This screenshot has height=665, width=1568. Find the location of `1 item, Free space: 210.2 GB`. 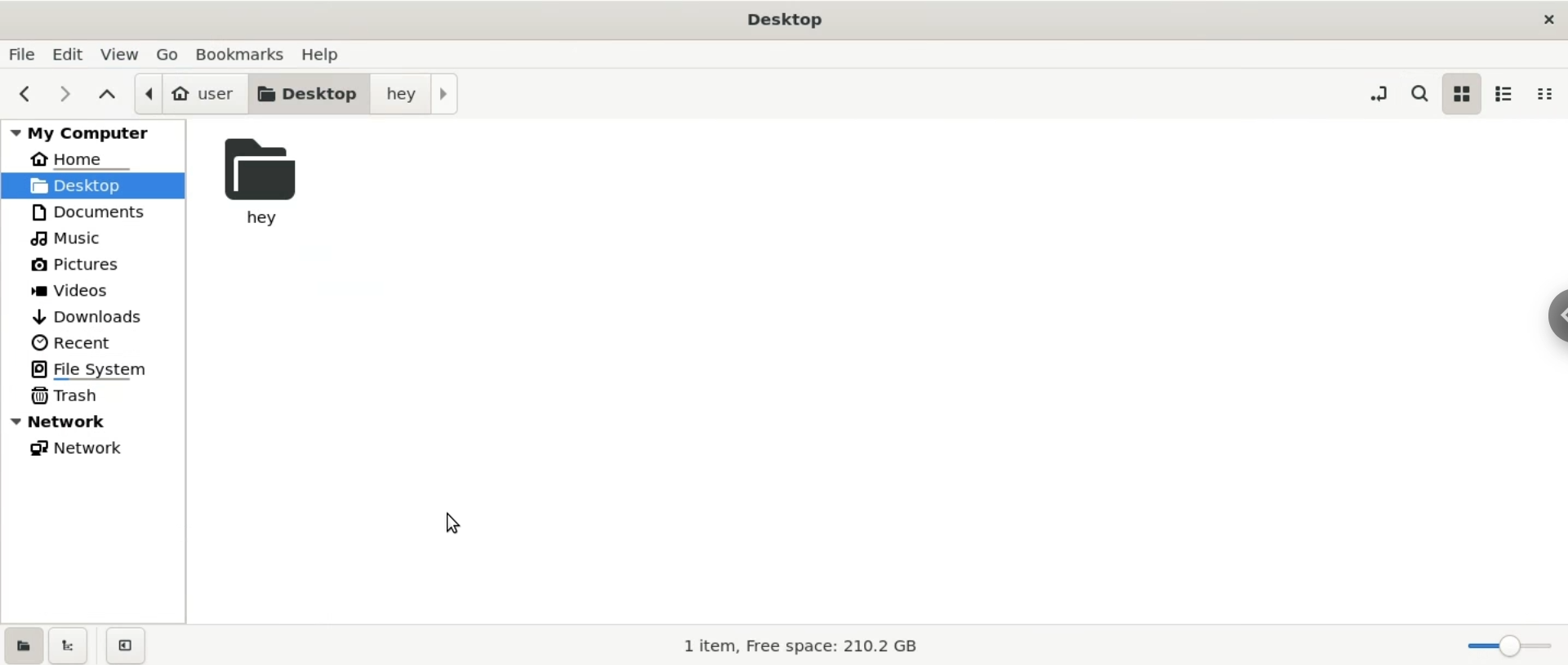

1 item, Free space: 210.2 GB is located at coordinates (814, 646).